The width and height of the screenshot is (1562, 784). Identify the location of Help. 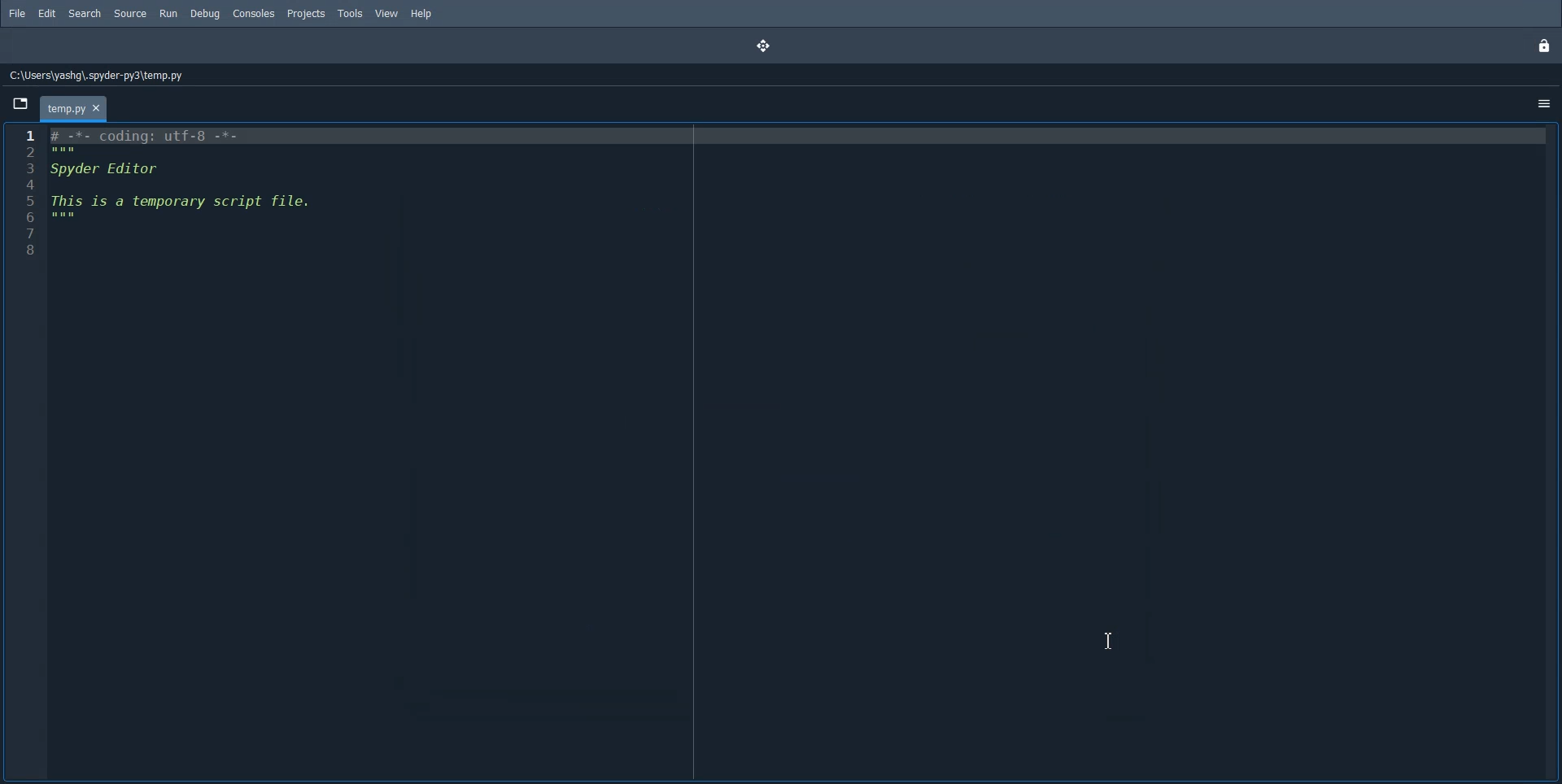
(421, 14).